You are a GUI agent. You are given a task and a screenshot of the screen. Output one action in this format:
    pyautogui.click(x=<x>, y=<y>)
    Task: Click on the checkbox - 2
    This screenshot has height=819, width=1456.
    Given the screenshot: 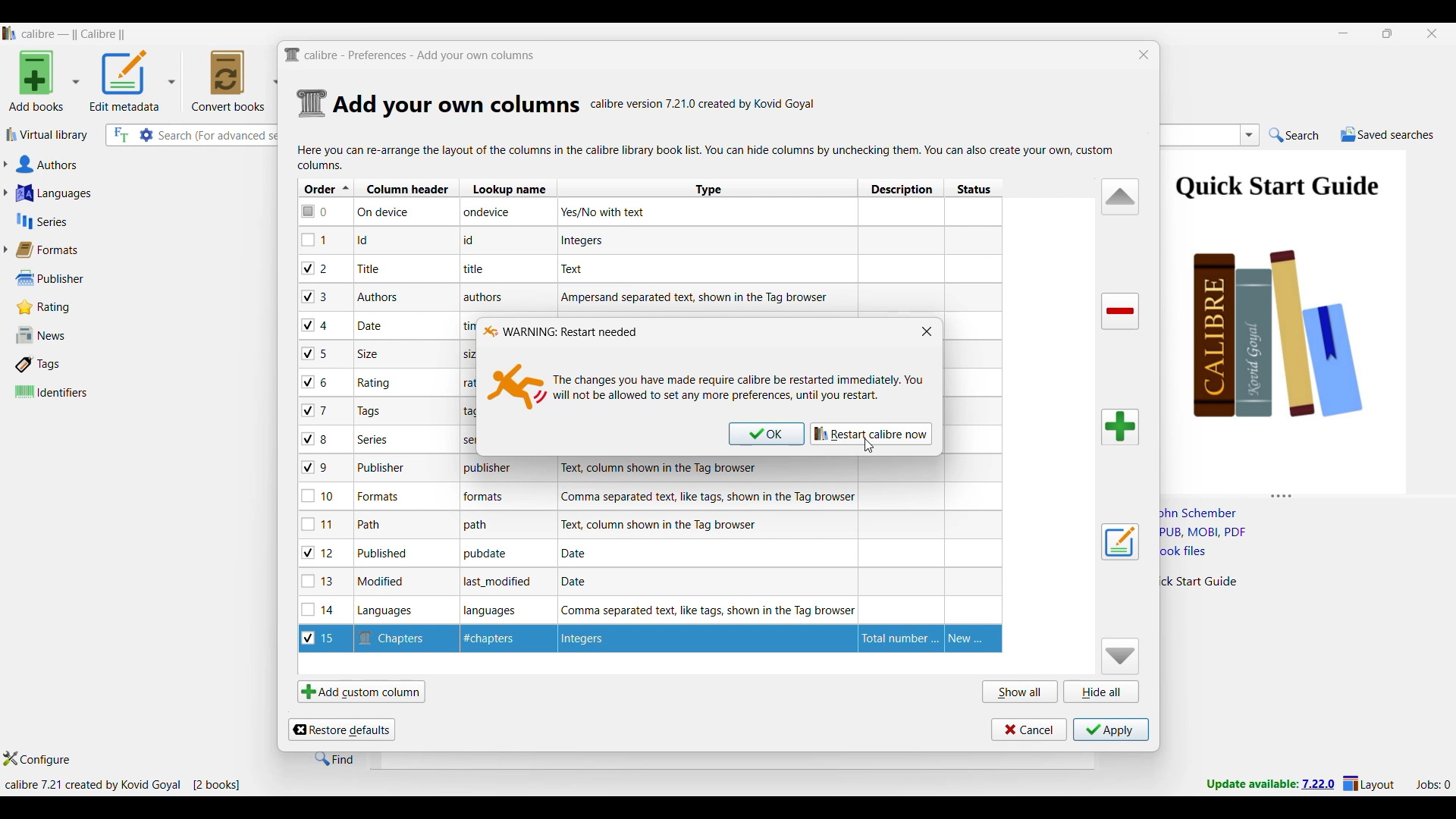 What is the action you would take?
    pyautogui.click(x=315, y=268)
    